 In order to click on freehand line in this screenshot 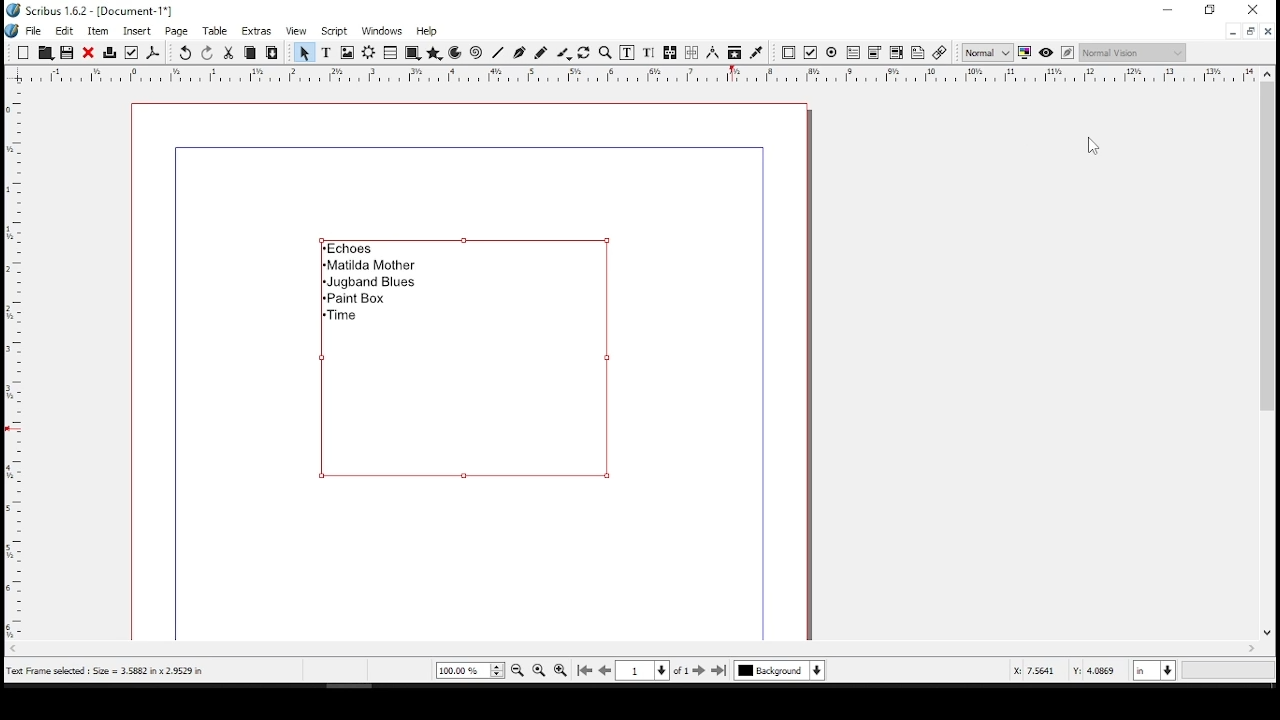, I will do `click(540, 52)`.